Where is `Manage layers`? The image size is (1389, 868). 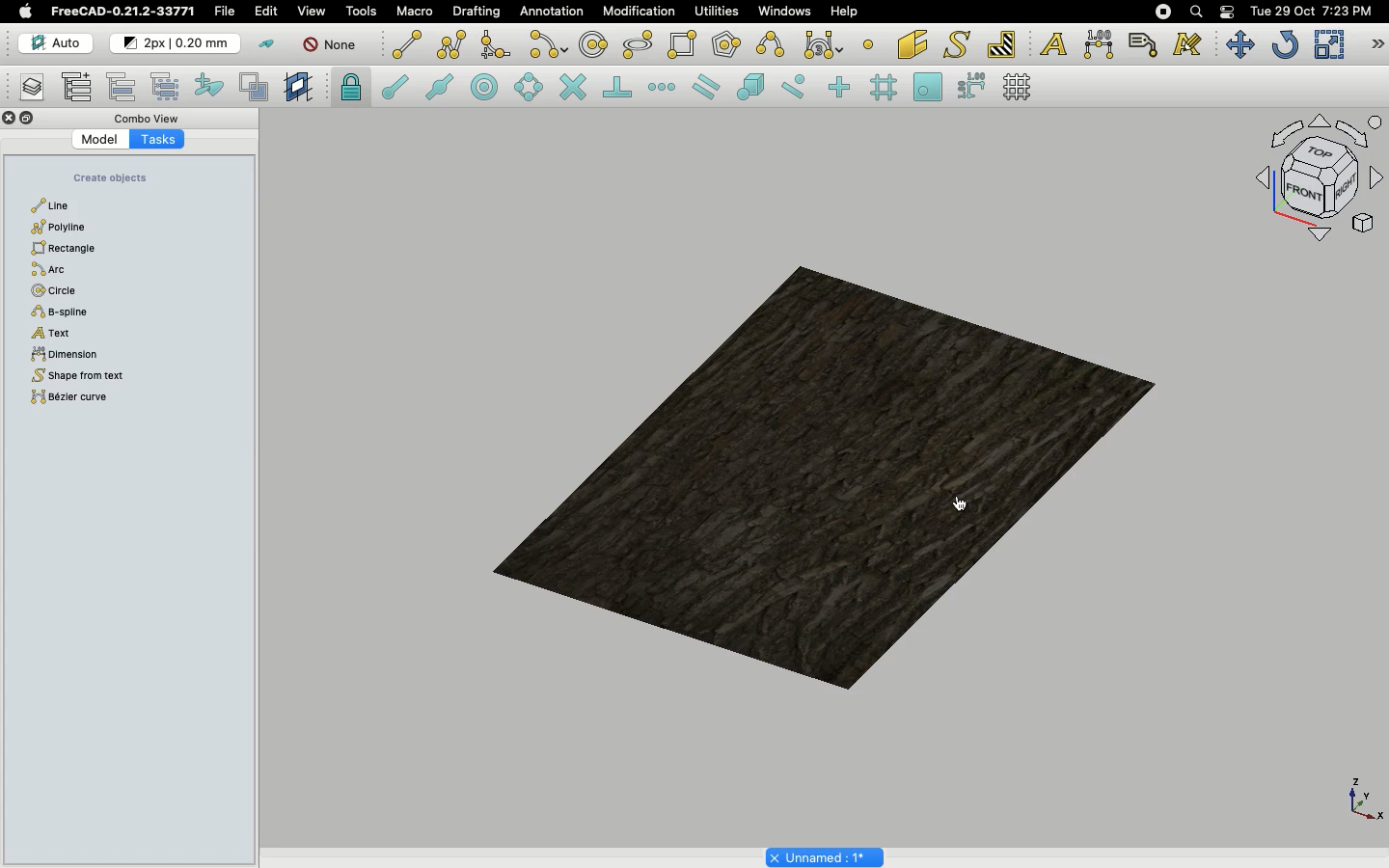
Manage layers is located at coordinates (25, 88).